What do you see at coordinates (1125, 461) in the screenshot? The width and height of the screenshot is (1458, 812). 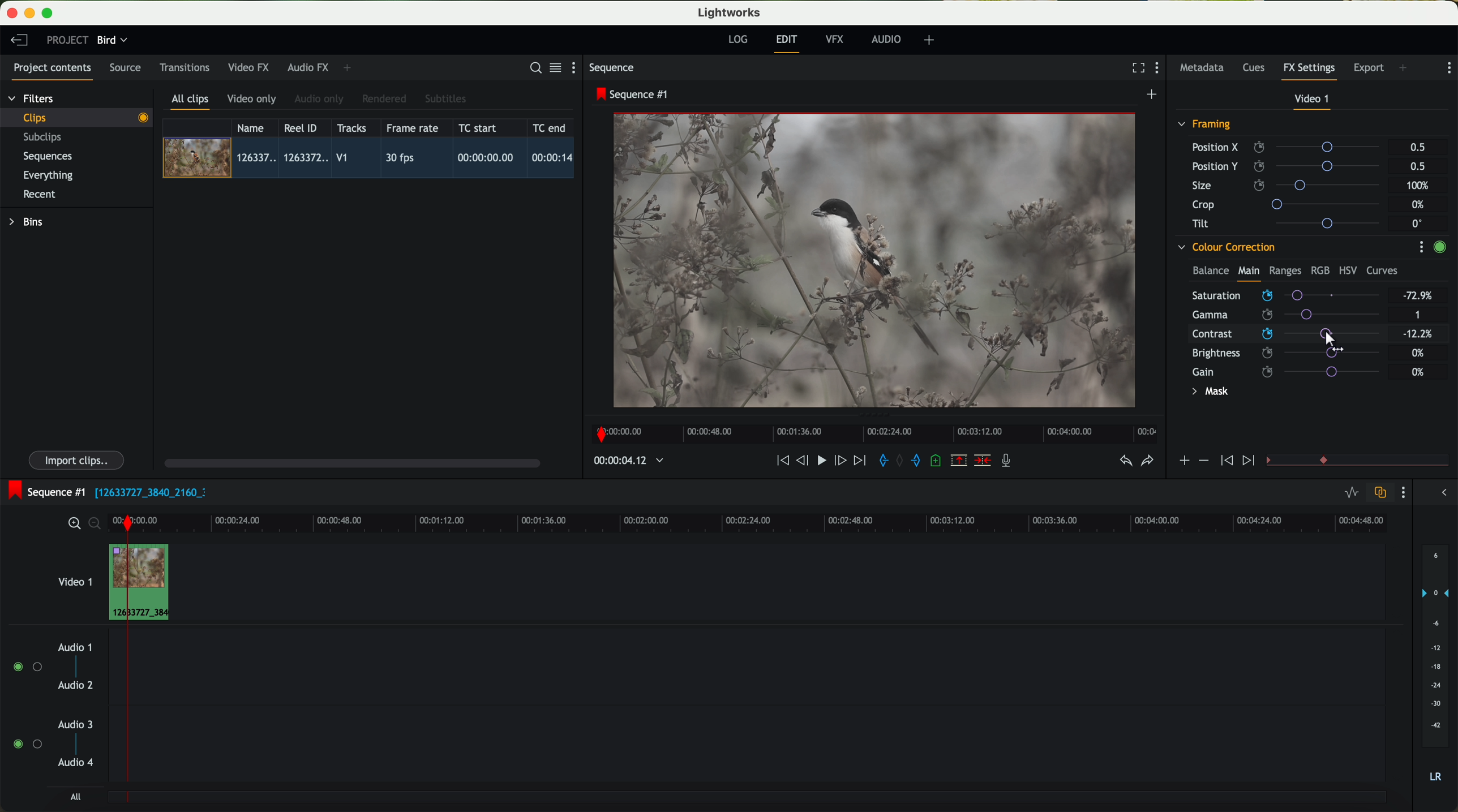 I see `undo` at bounding box center [1125, 461].